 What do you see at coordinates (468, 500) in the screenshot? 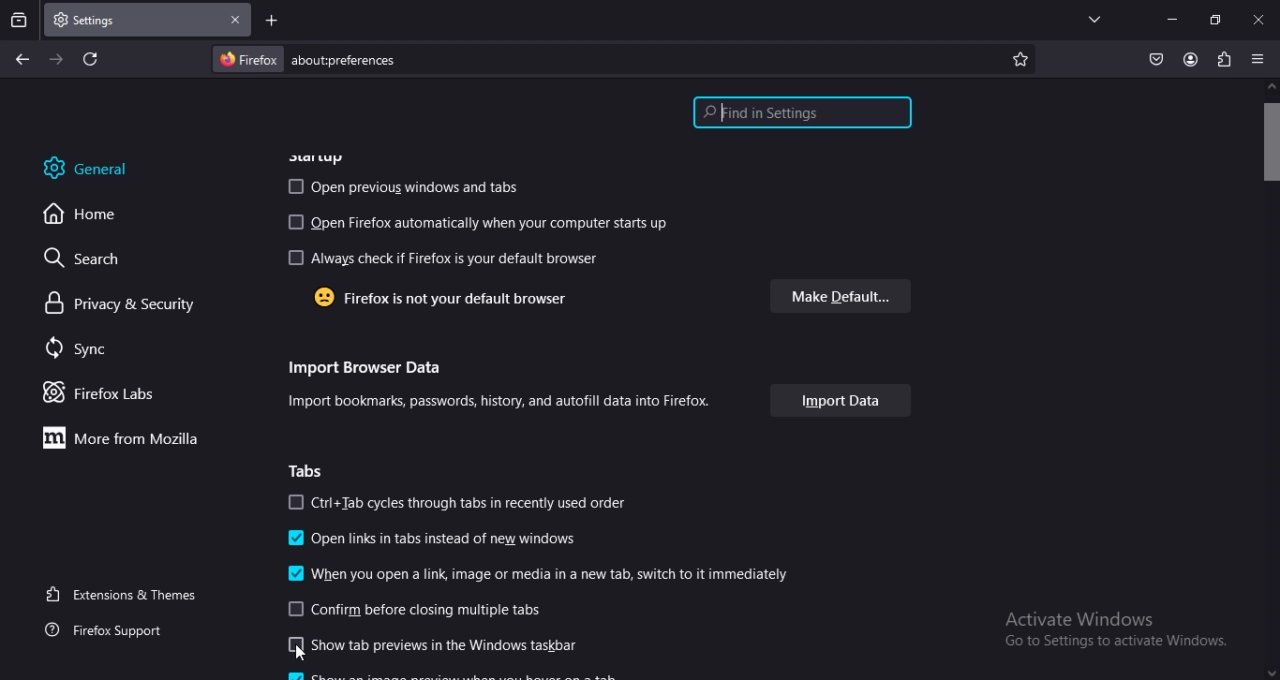
I see `ctrl+tabs cycles through tabs in recently used order` at bounding box center [468, 500].